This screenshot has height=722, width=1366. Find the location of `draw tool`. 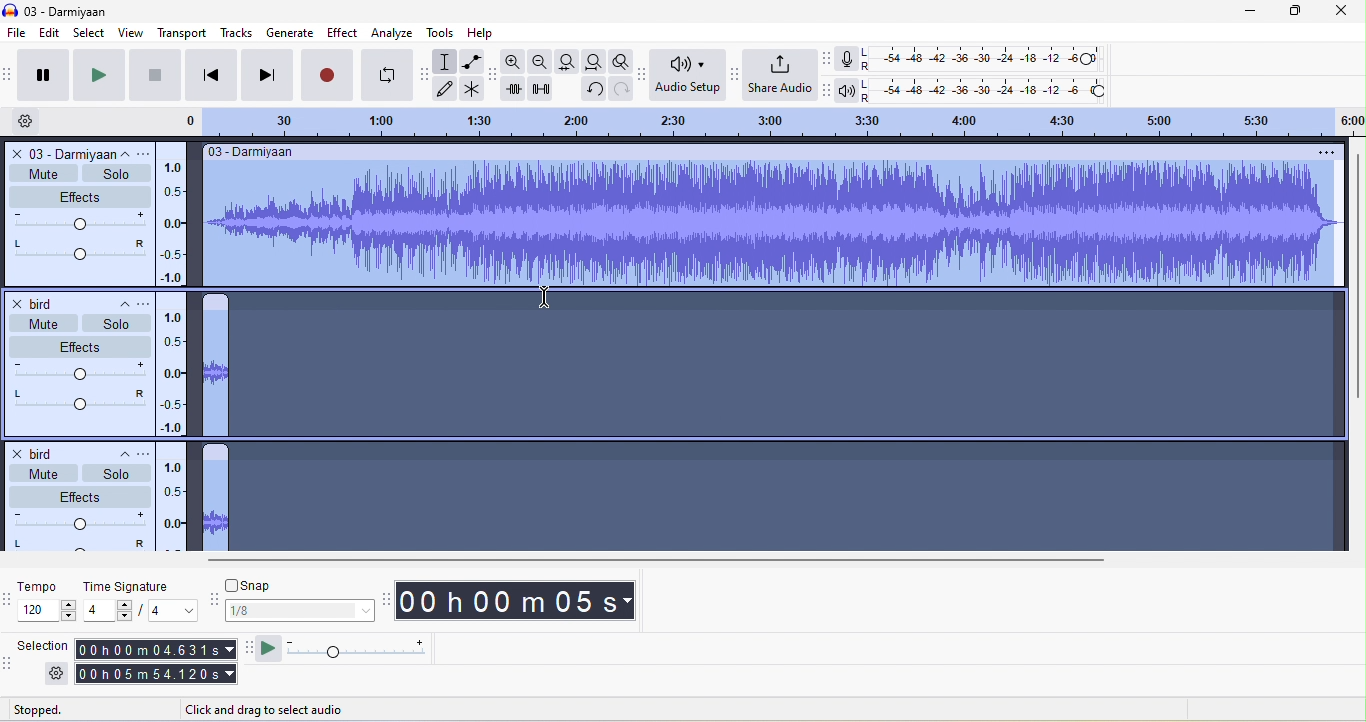

draw tool is located at coordinates (447, 90).